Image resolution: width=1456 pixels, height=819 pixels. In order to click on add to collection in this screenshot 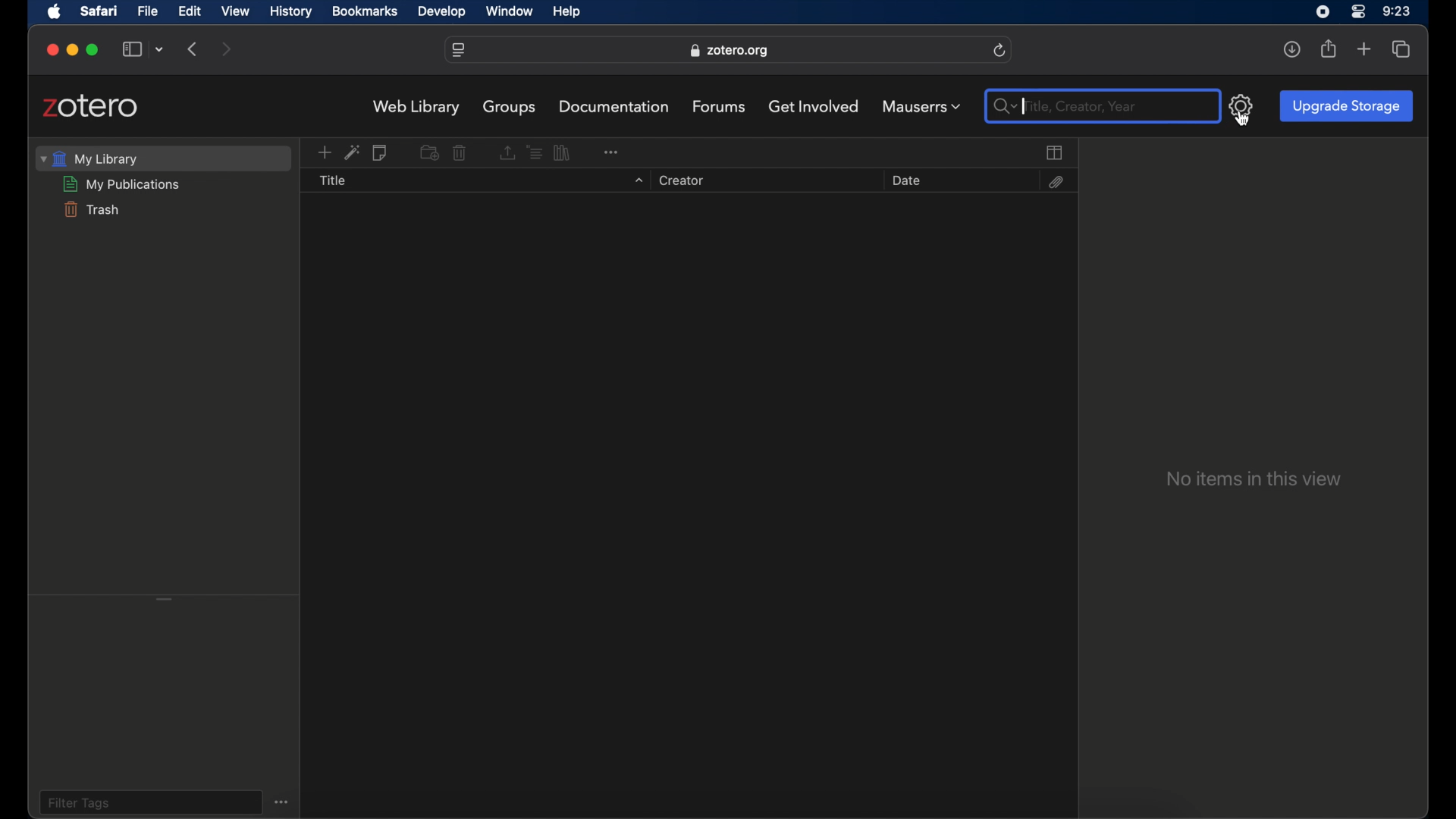, I will do `click(428, 152)`.